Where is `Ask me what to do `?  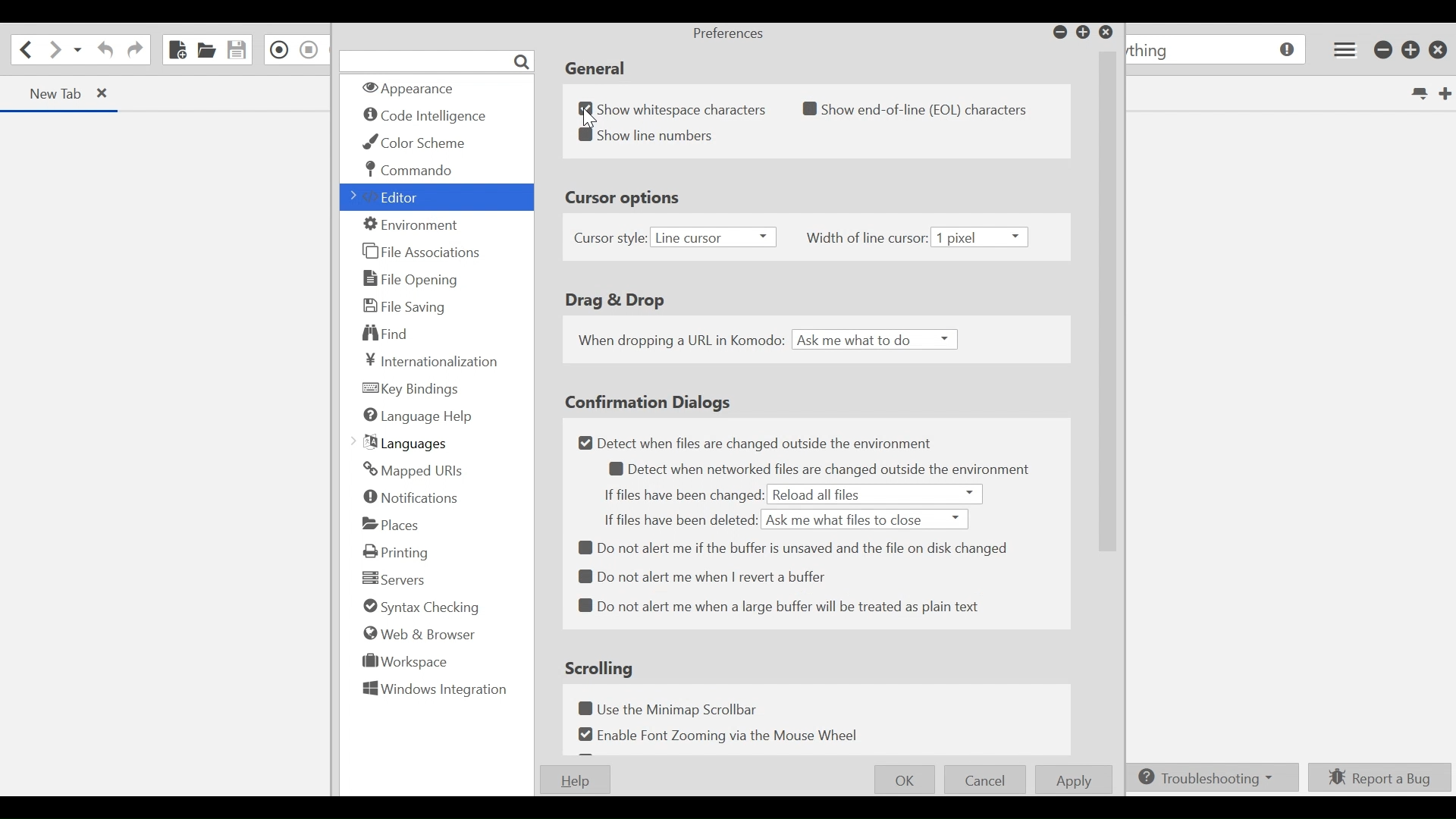
Ask me what to do  is located at coordinates (877, 340).